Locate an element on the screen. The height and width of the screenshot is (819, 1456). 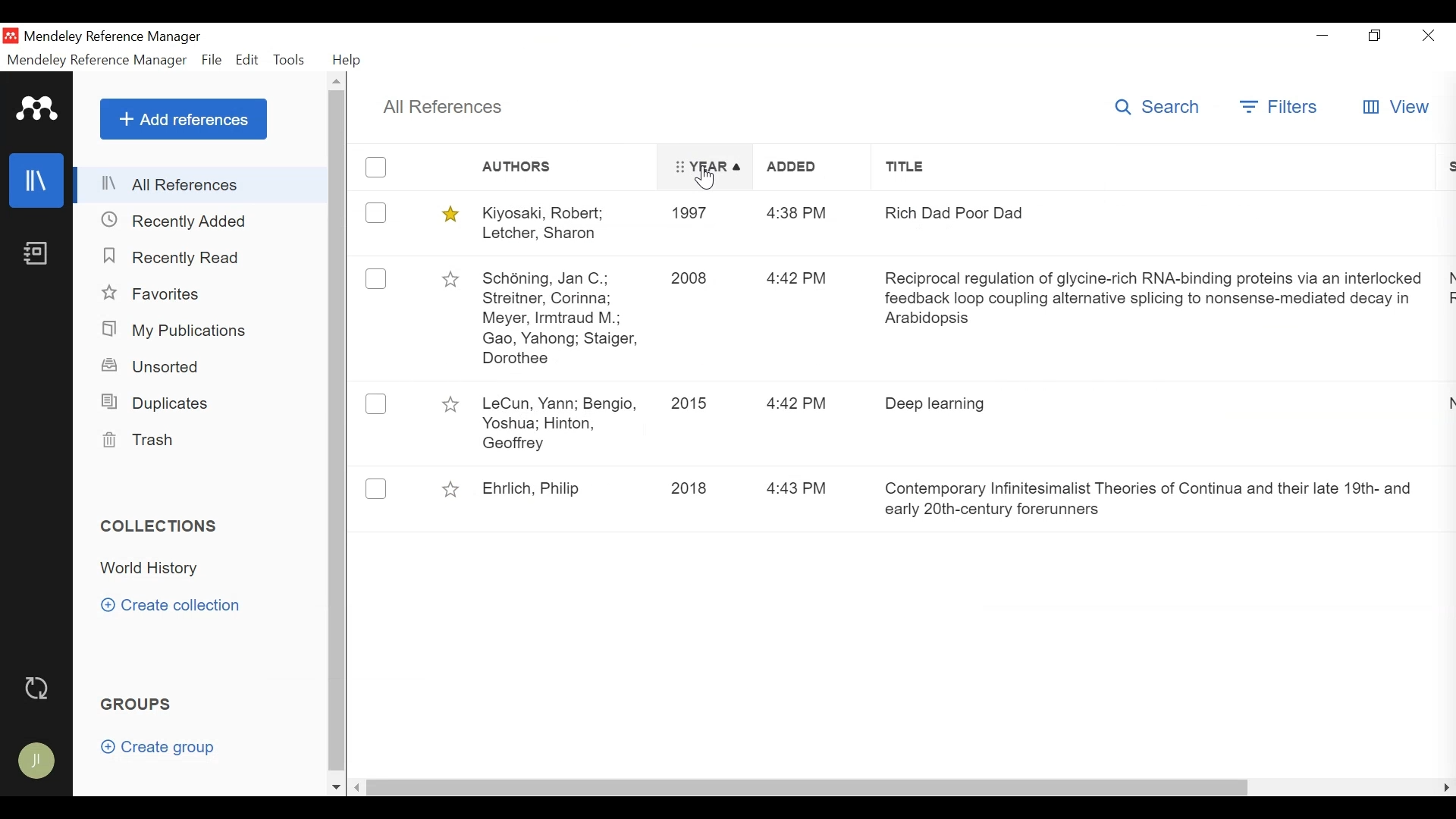
Help is located at coordinates (347, 60).